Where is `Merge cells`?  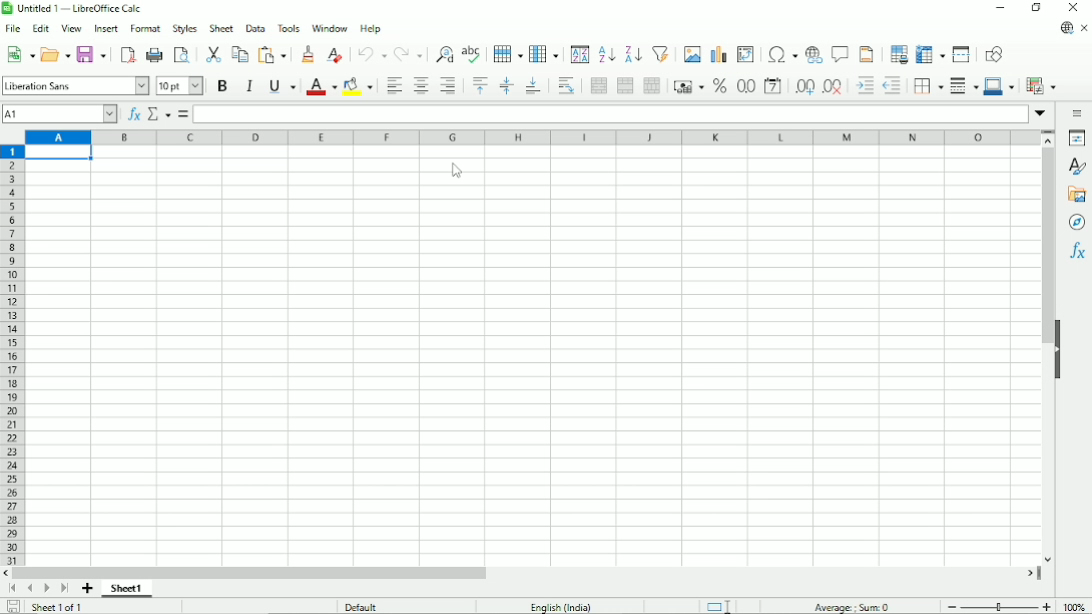
Merge cells is located at coordinates (625, 85).